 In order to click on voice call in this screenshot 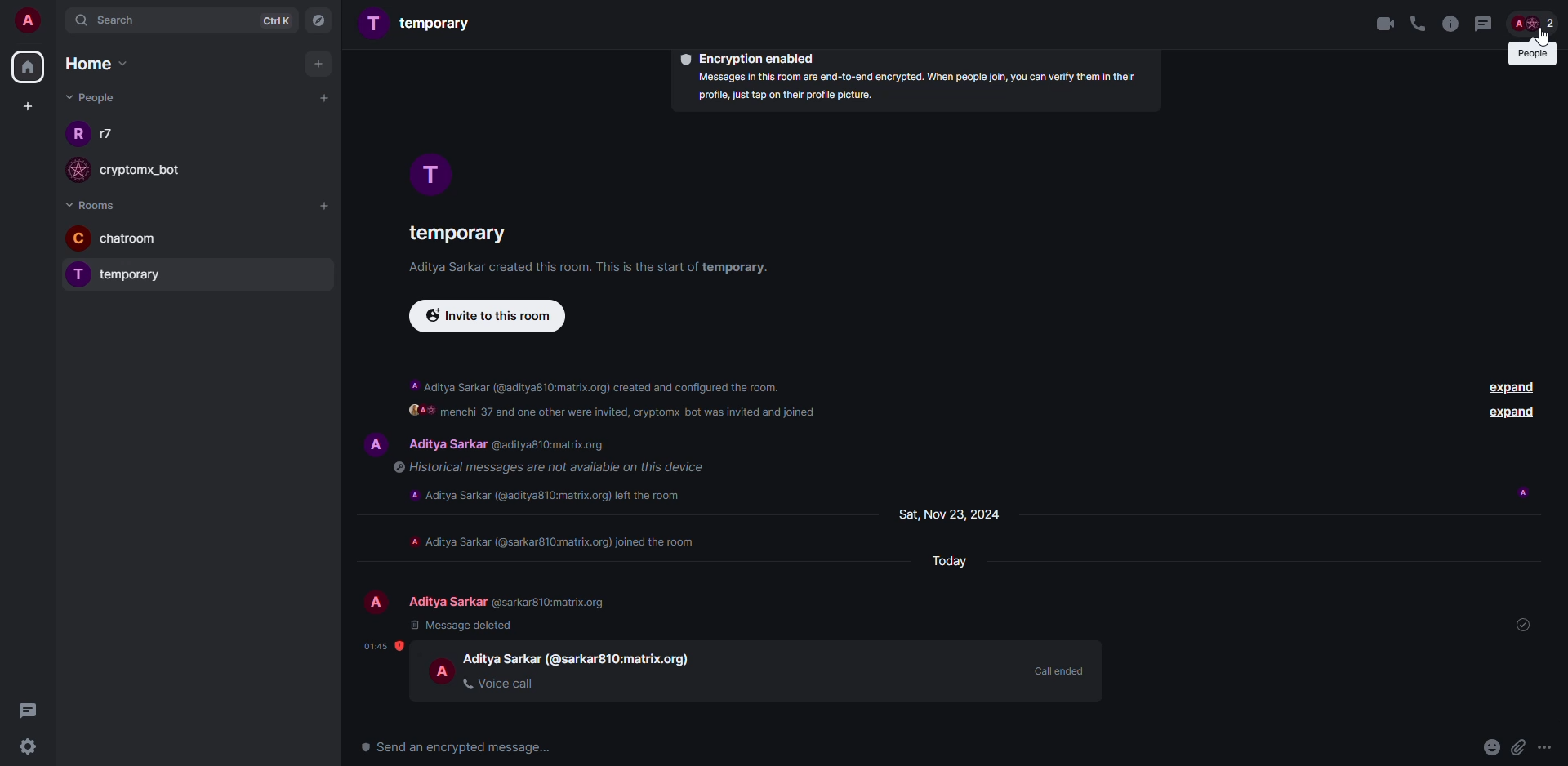, I will do `click(1417, 23)`.